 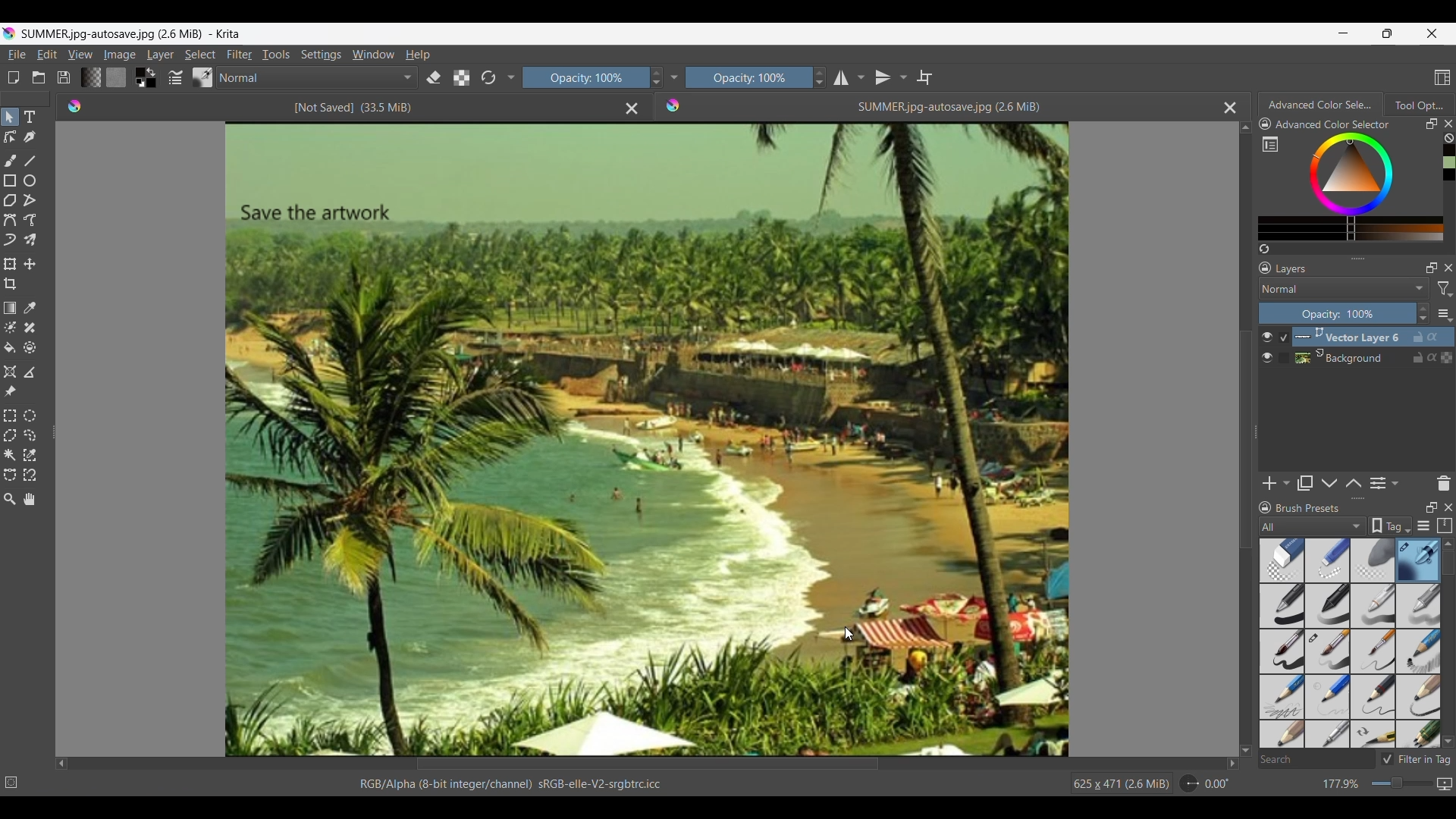 I want to click on Preserve Alpha, so click(x=462, y=78).